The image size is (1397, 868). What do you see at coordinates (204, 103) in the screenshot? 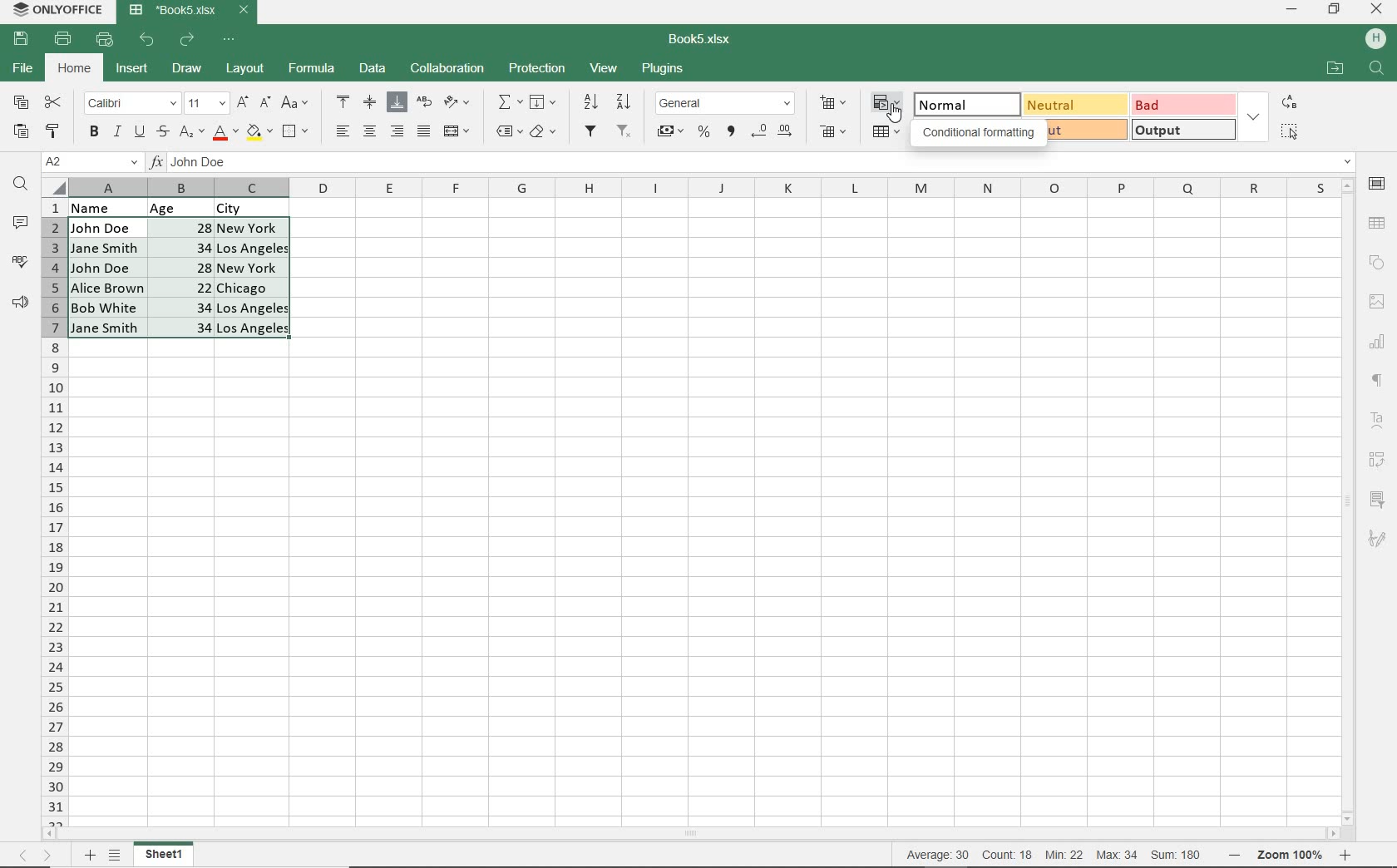
I see `FONT SIZE` at bounding box center [204, 103].